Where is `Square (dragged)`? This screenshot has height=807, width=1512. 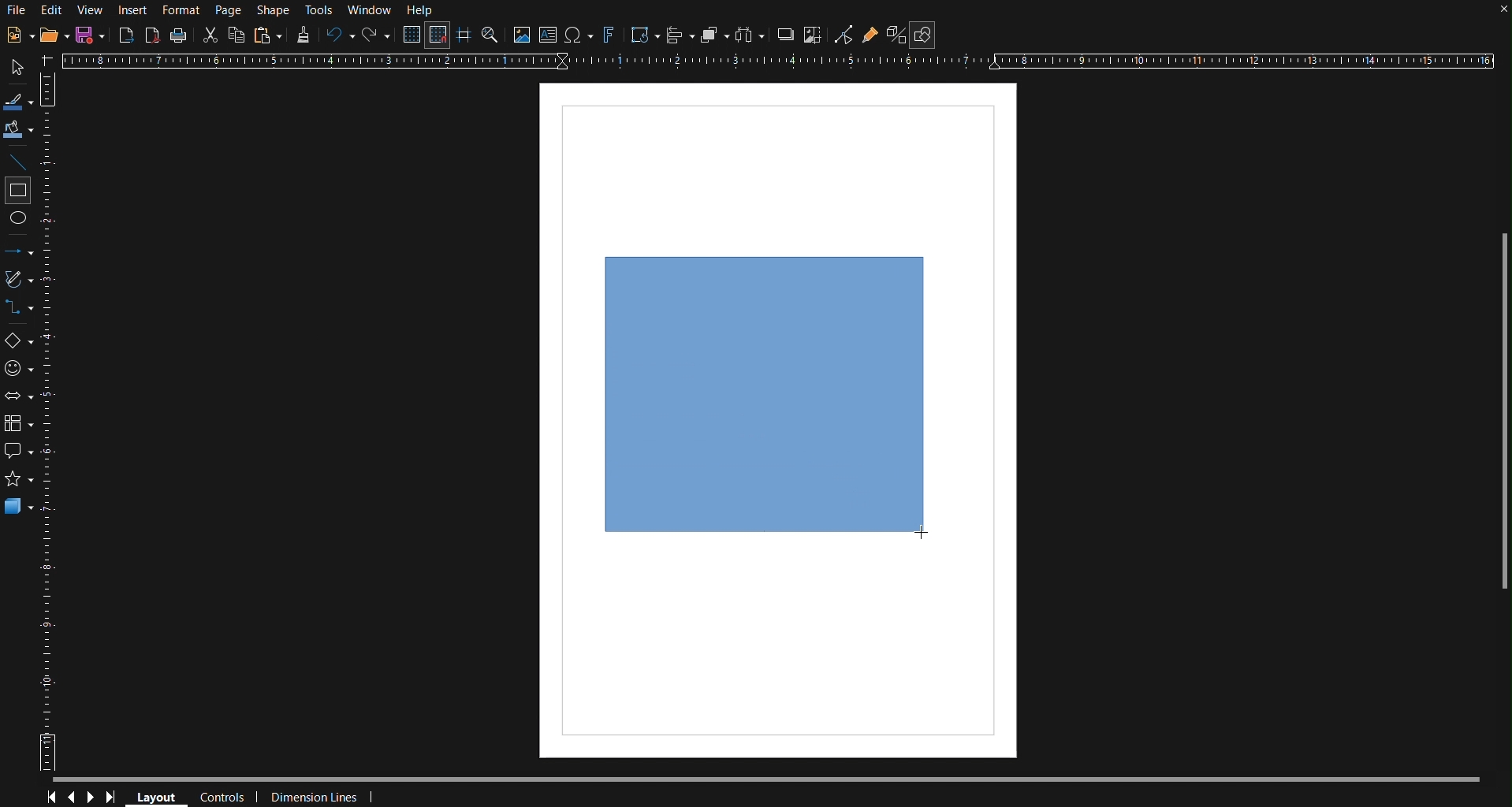 Square (dragged) is located at coordinates (765, 394).